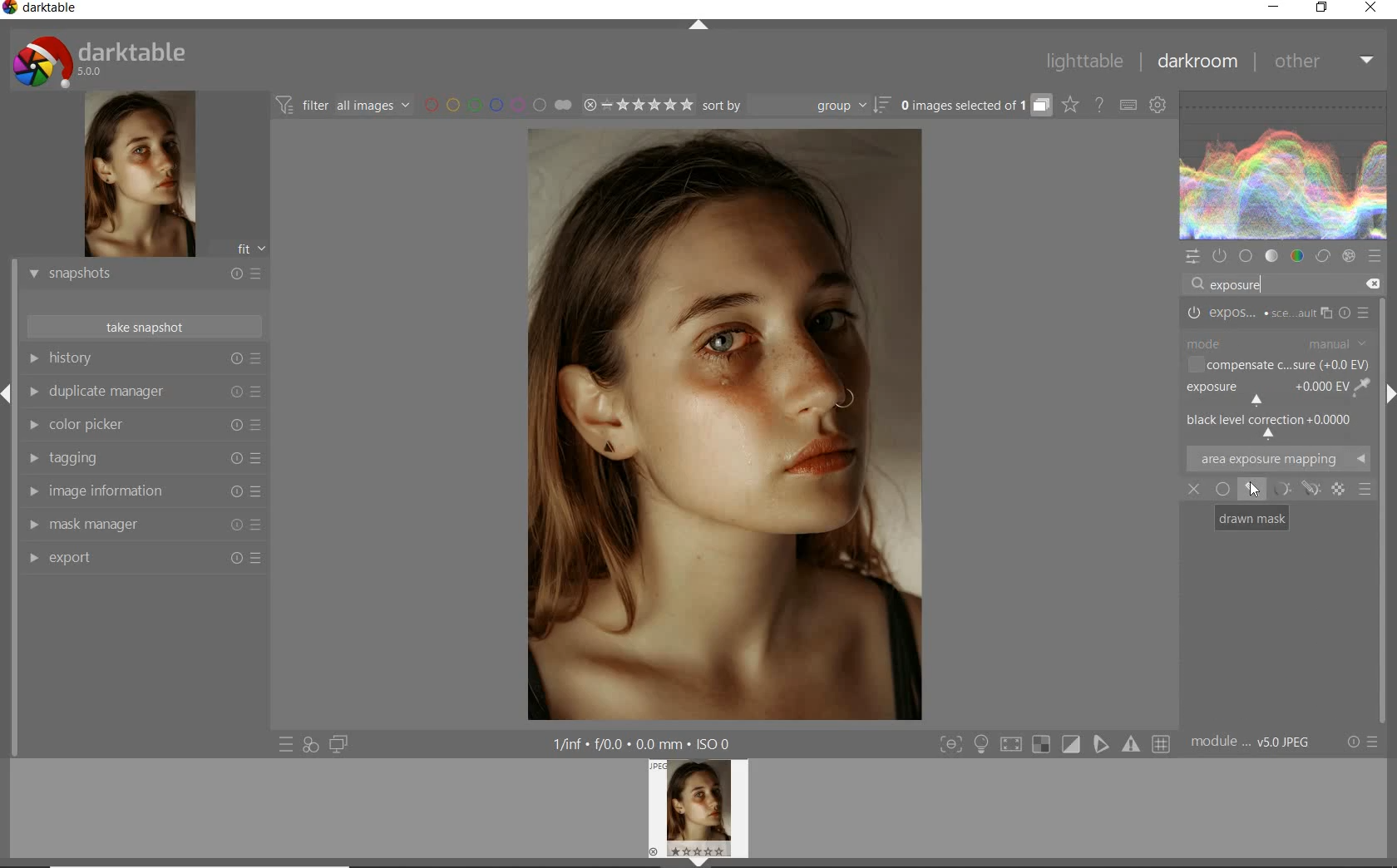 The width and height of the screenshot is (1397, 868). What do you see at coordinates (1382, 452) in the screenshot?
I see `scrollbar` at bounding box center [1382, 452].